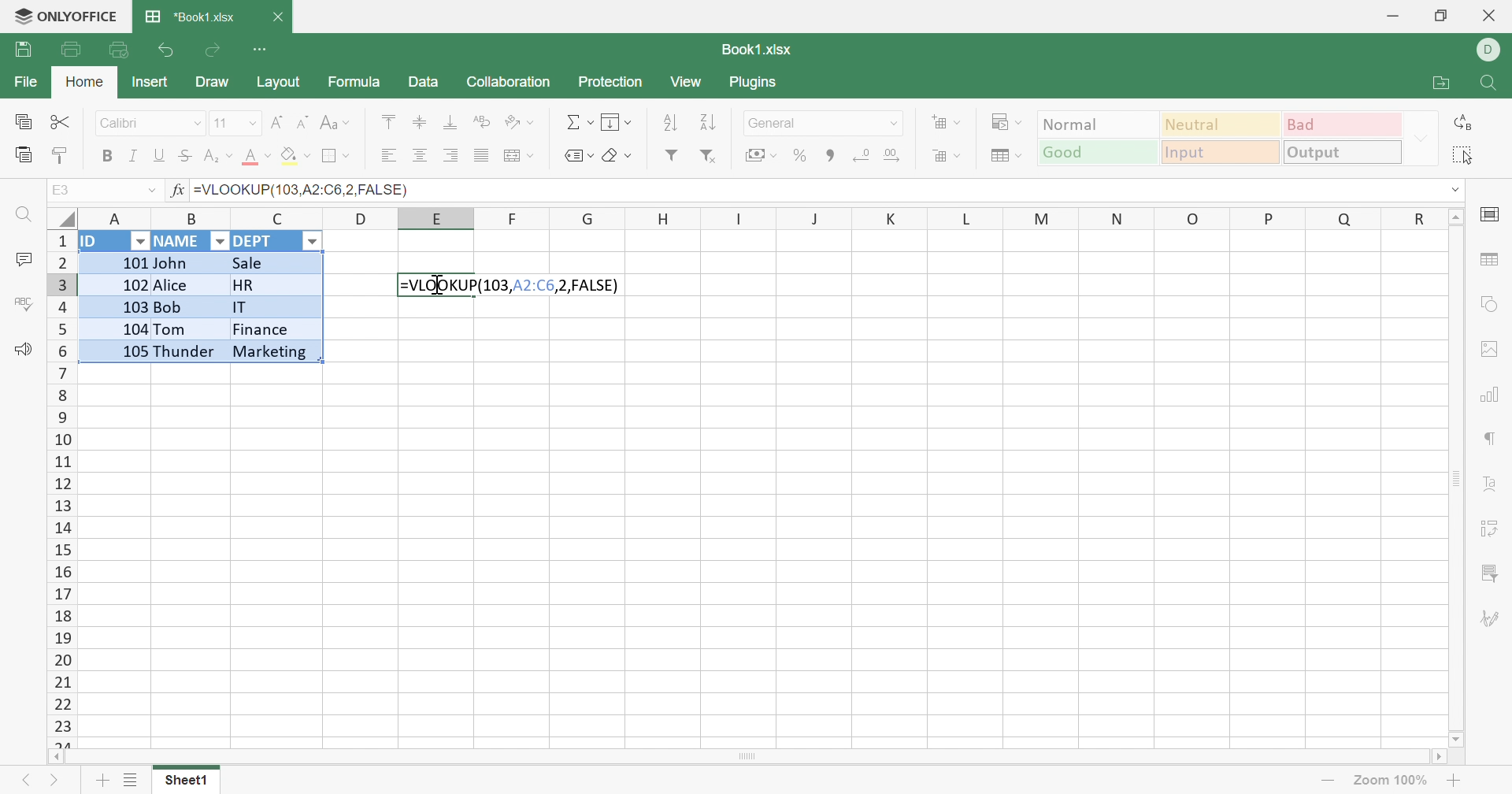 This screenshot has width=1512, height=794. What do you see at coordinates (22, 259) in the screenshot?
I see `Comments` at bounding box center [22, 259].